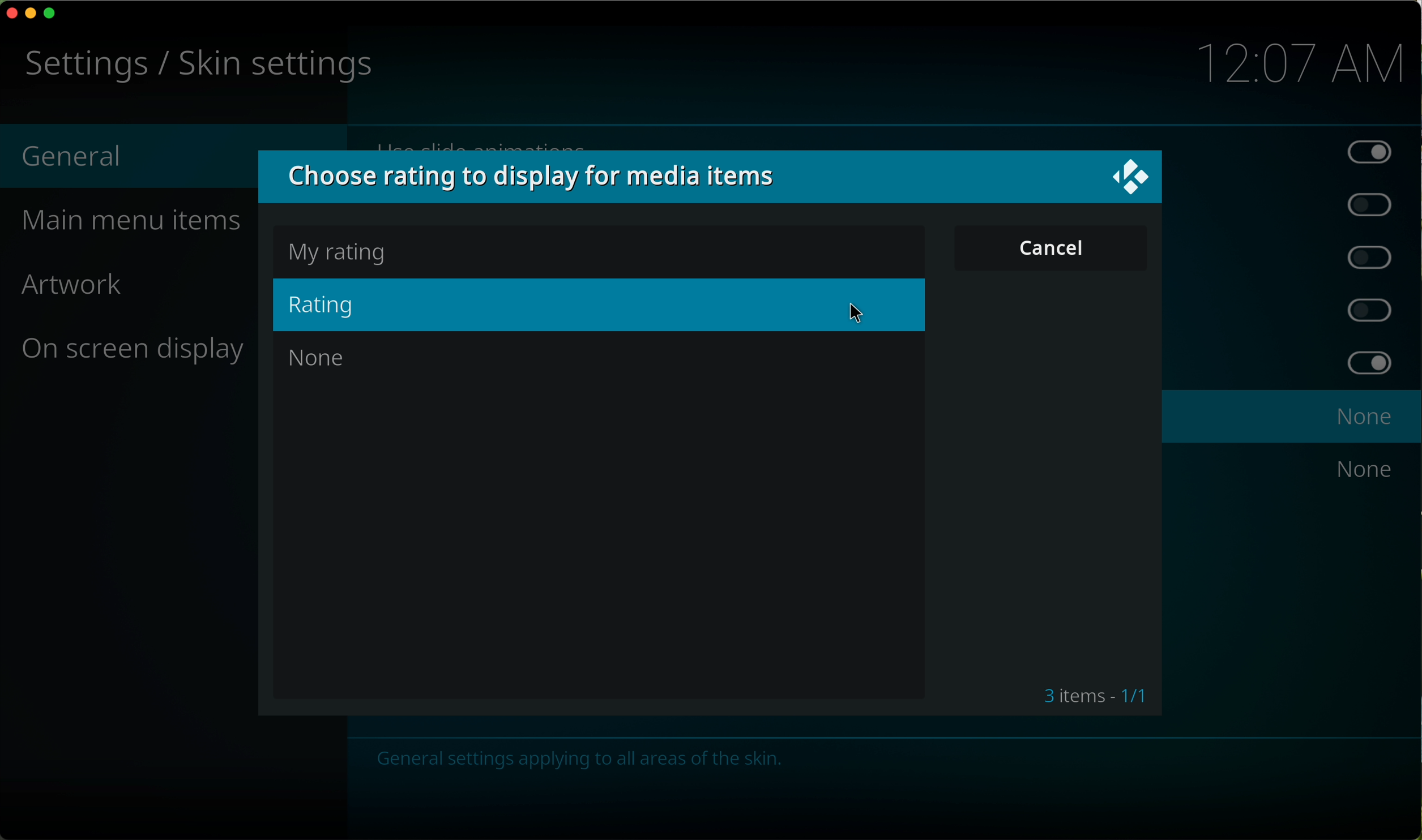 Image resolution: width=1422 pixels, height=840 pixels. What do you see at coordinates (194, 63) in the screenshot?
I see `skin settings` at bounding box center [194, 63].